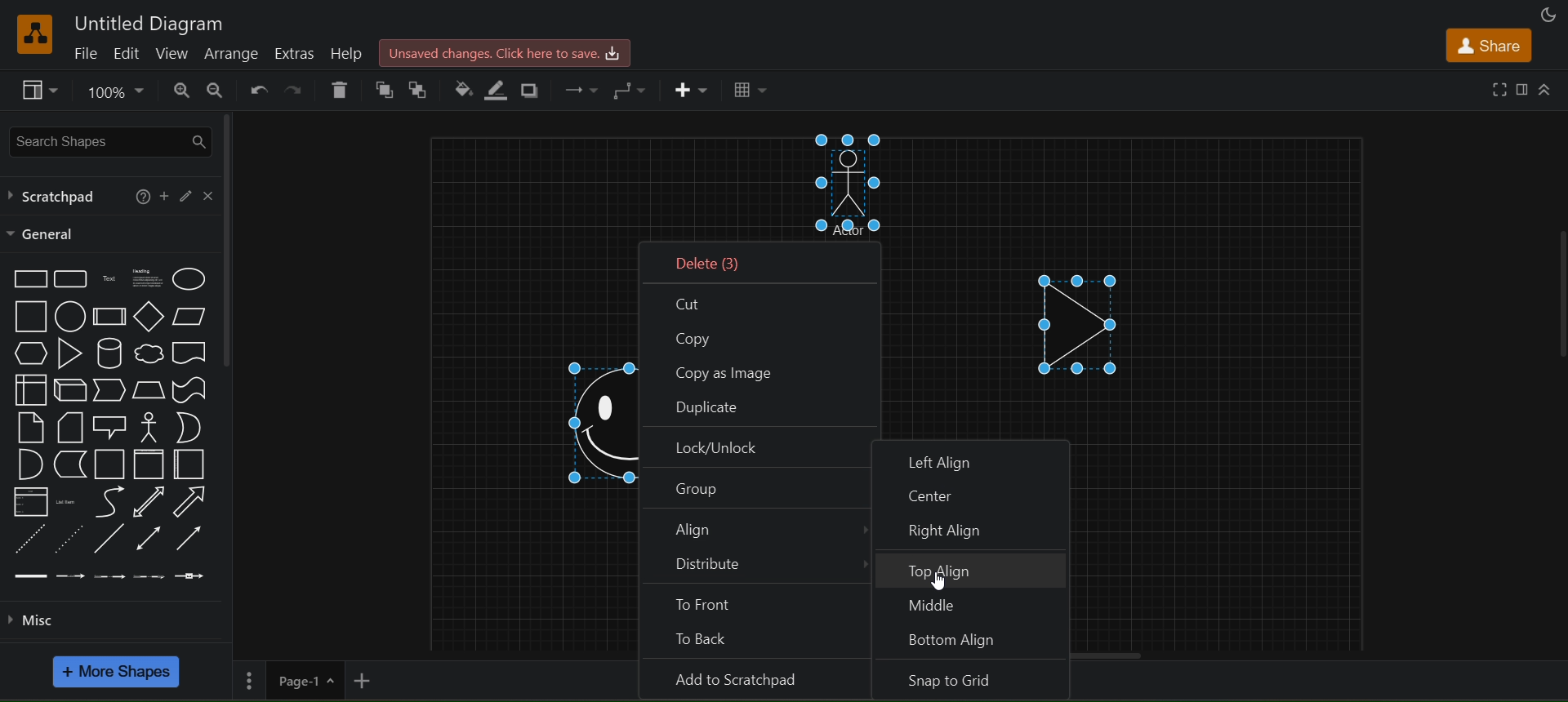  Describe the element at coordinates (111, 464) in the screenshot. I see `container` at that location.